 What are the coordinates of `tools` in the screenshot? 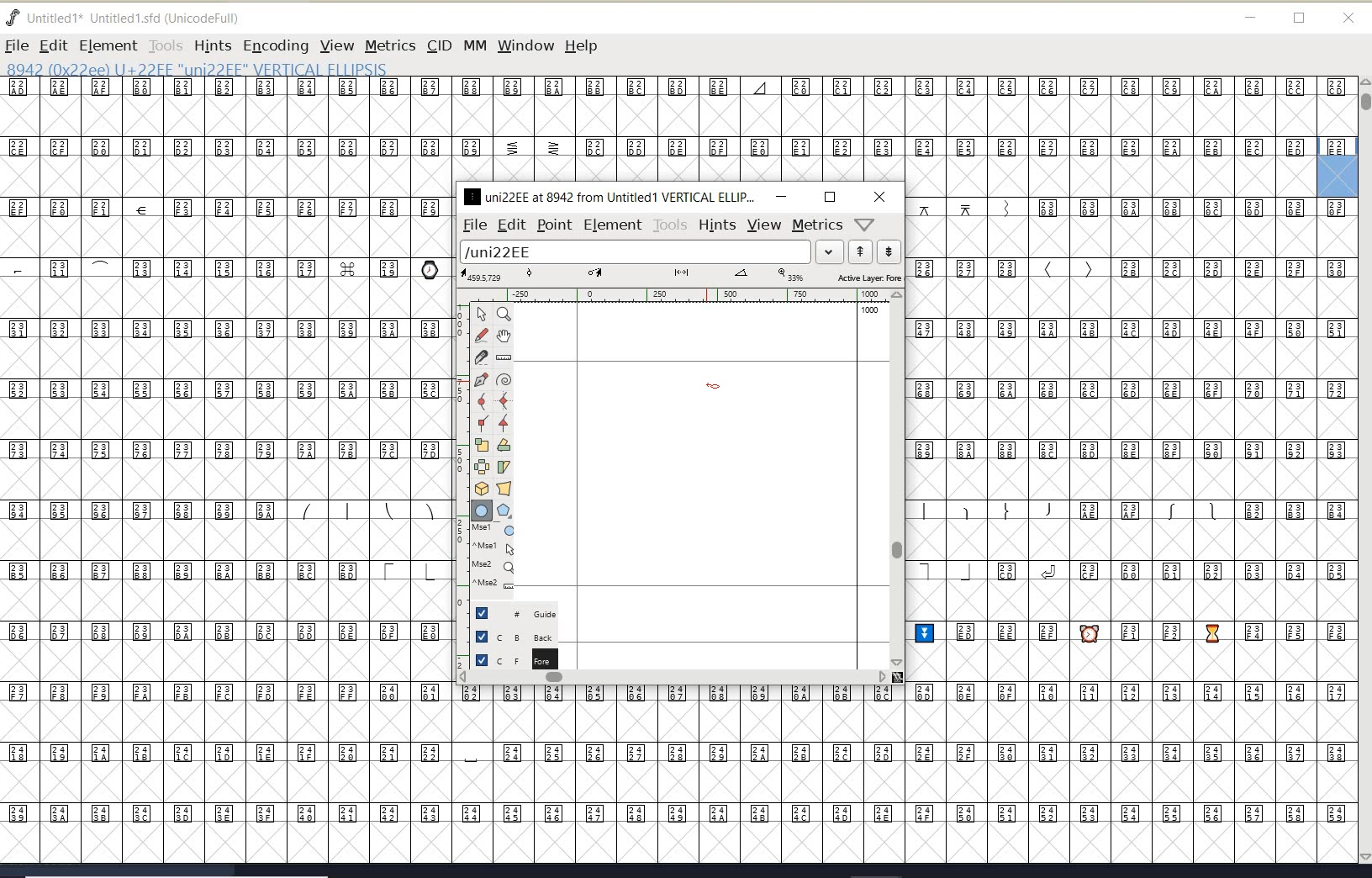 It's located at (671, 225).